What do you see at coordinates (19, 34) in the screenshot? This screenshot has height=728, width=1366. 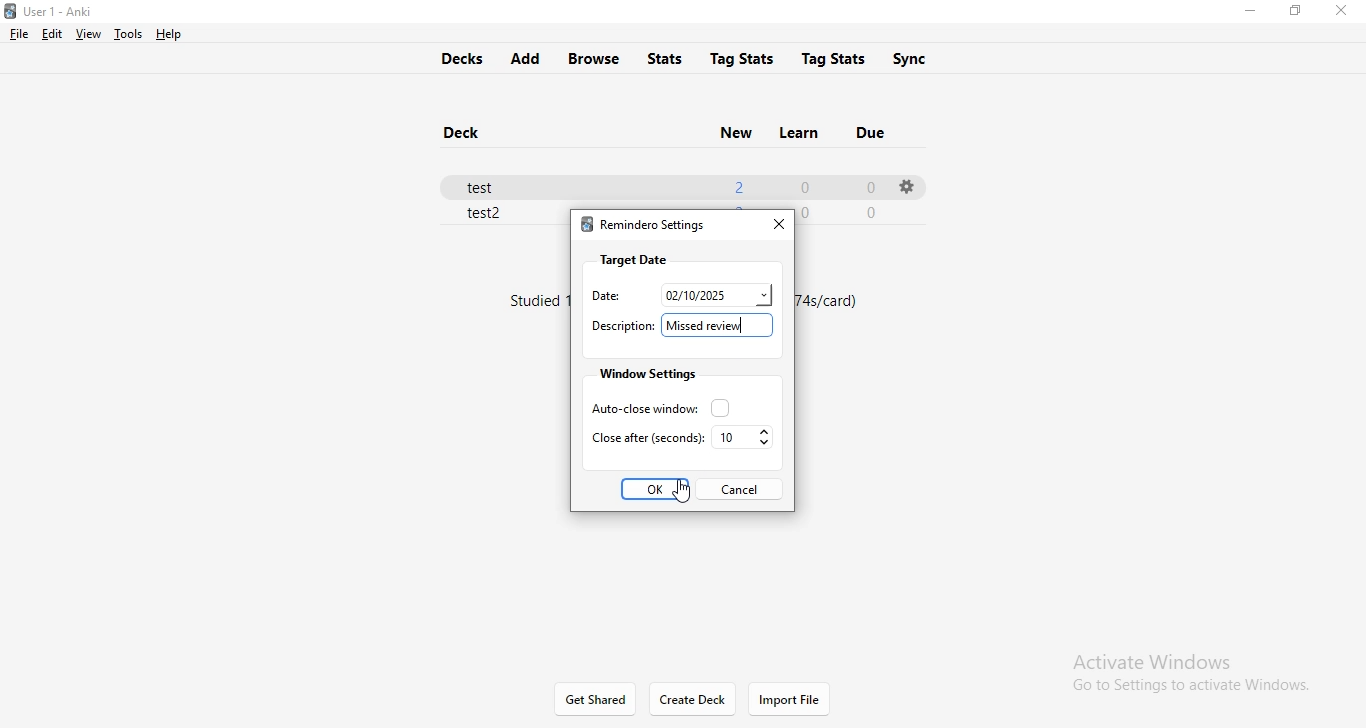 I see `file` at bounding box center [19, 34].